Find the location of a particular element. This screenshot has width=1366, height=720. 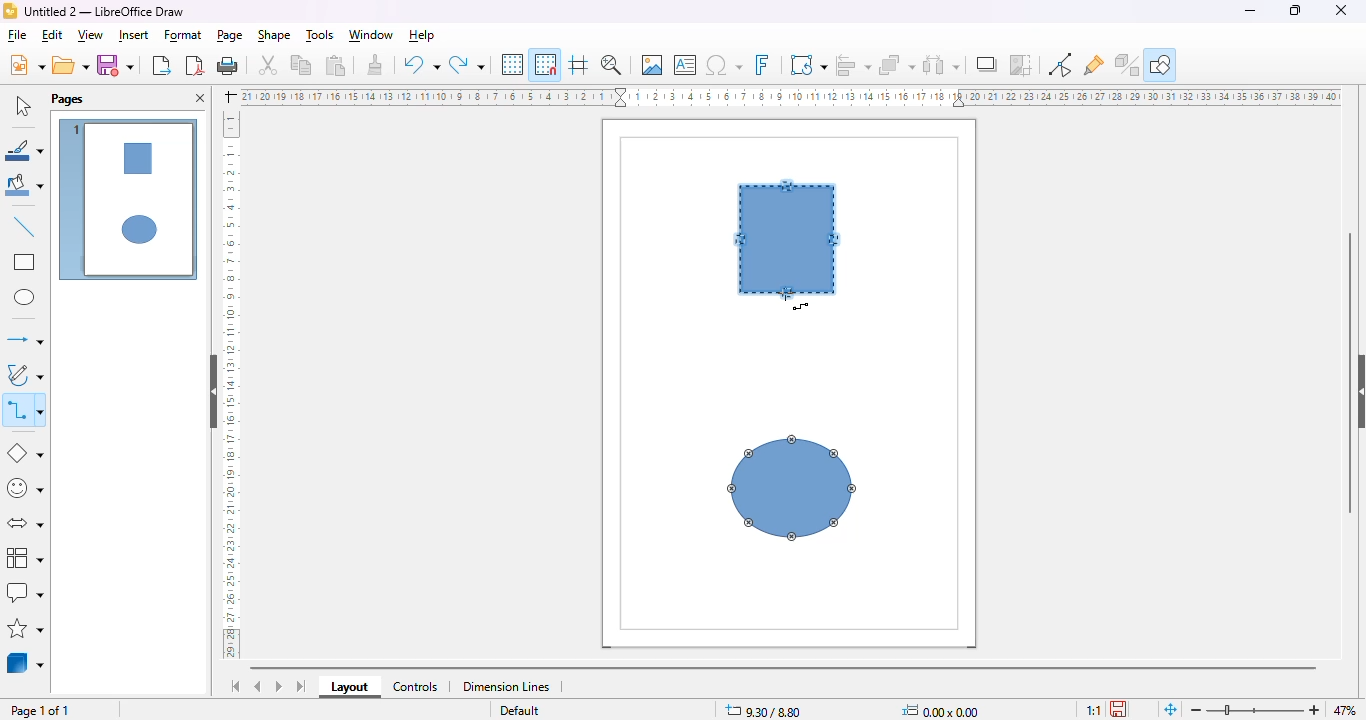

layout is located at coordinates (350, 687).